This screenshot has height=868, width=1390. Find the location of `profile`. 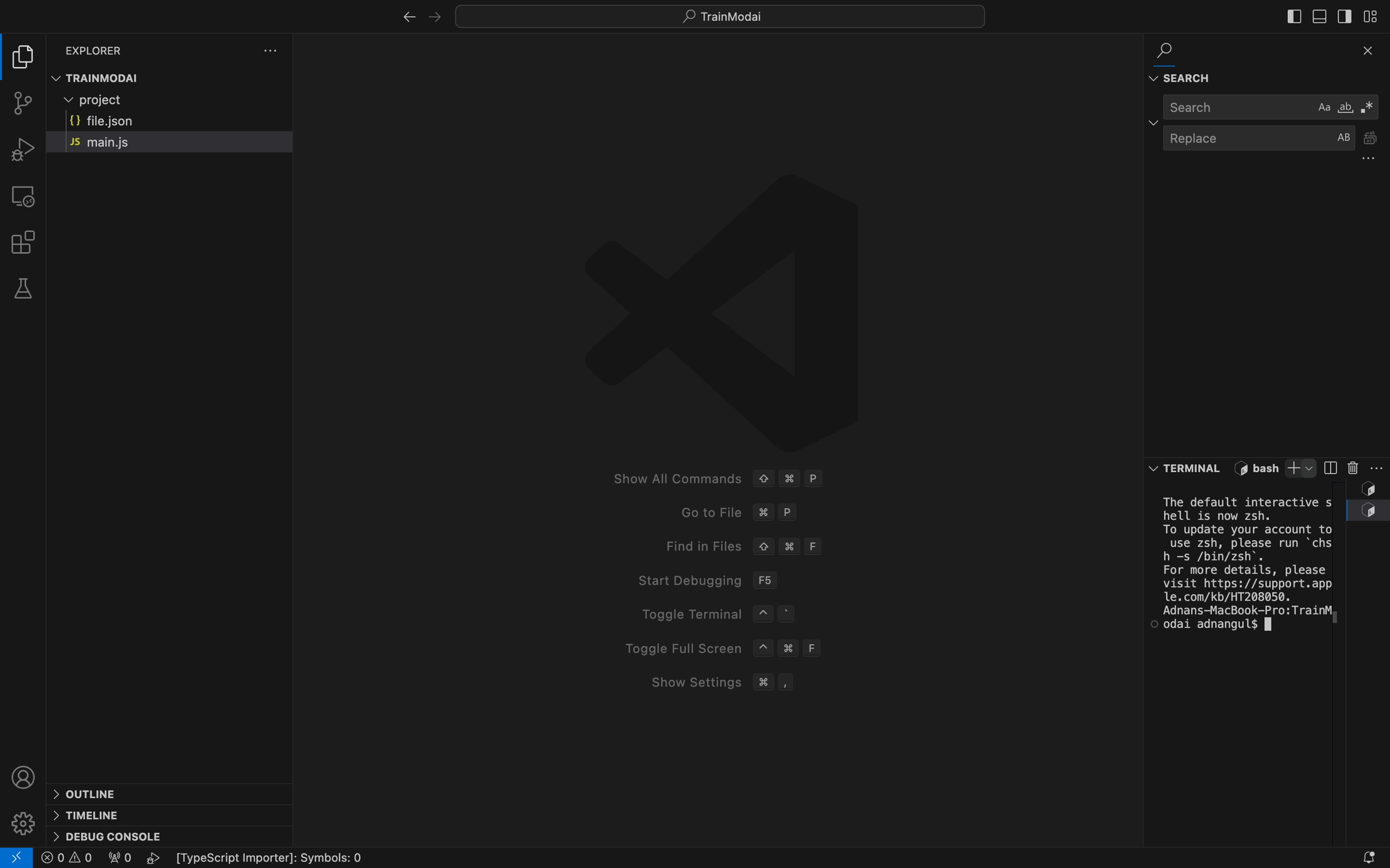

profile is located at coordinates (23, 773).